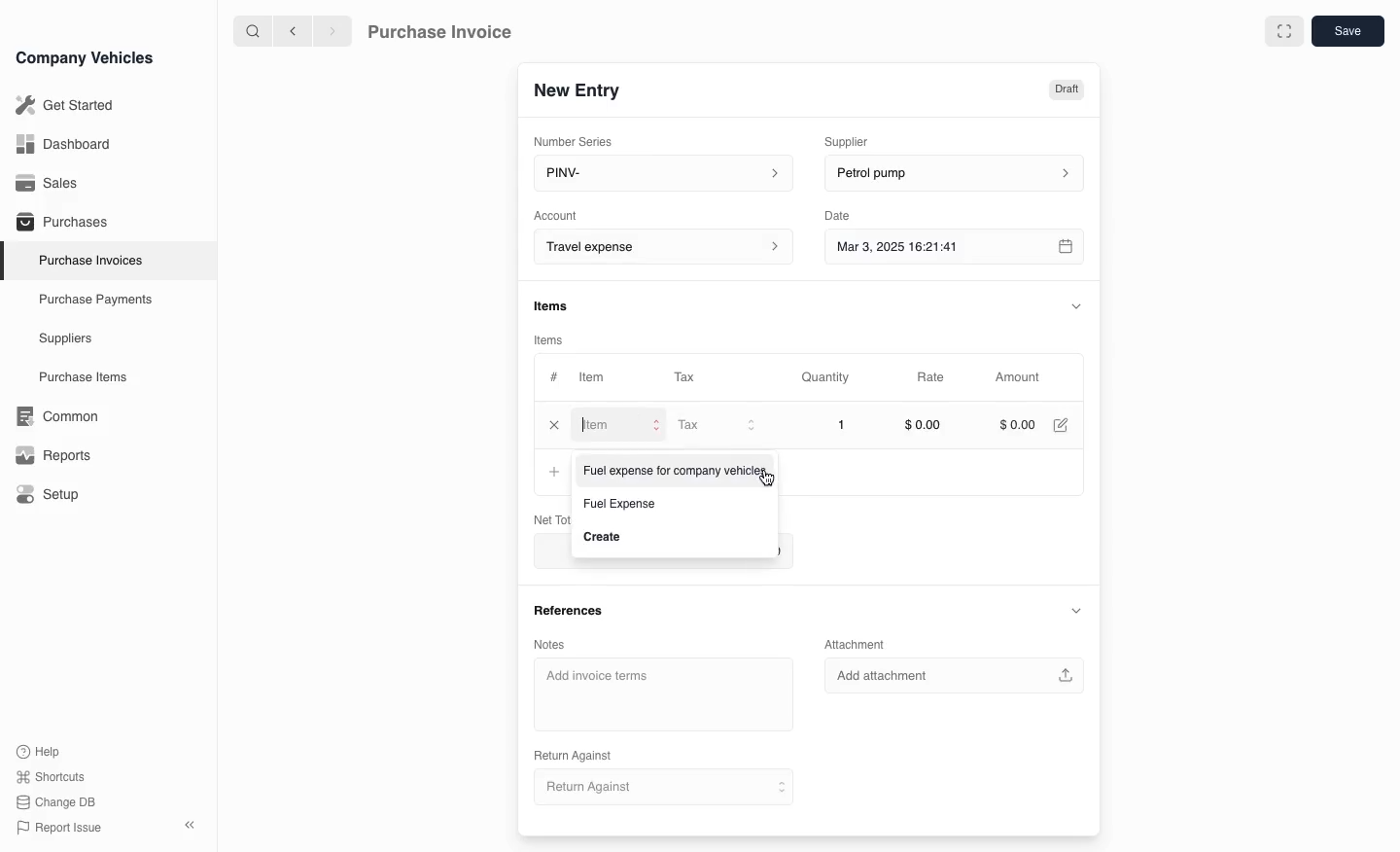 The image size is (1400, 852). Describe the element at coordinates (57, 224) in the screenshot. I see `Purchases` at that location.